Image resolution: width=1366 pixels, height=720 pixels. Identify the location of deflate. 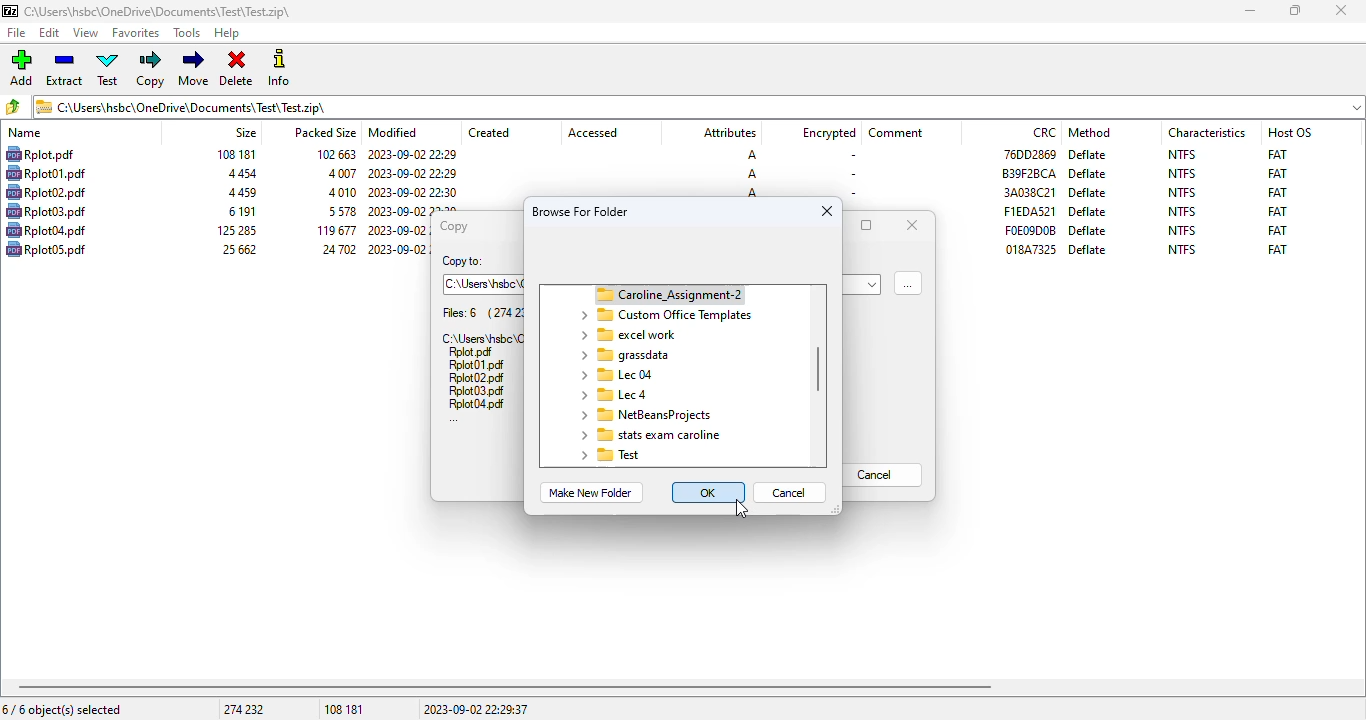
(1088, 174).